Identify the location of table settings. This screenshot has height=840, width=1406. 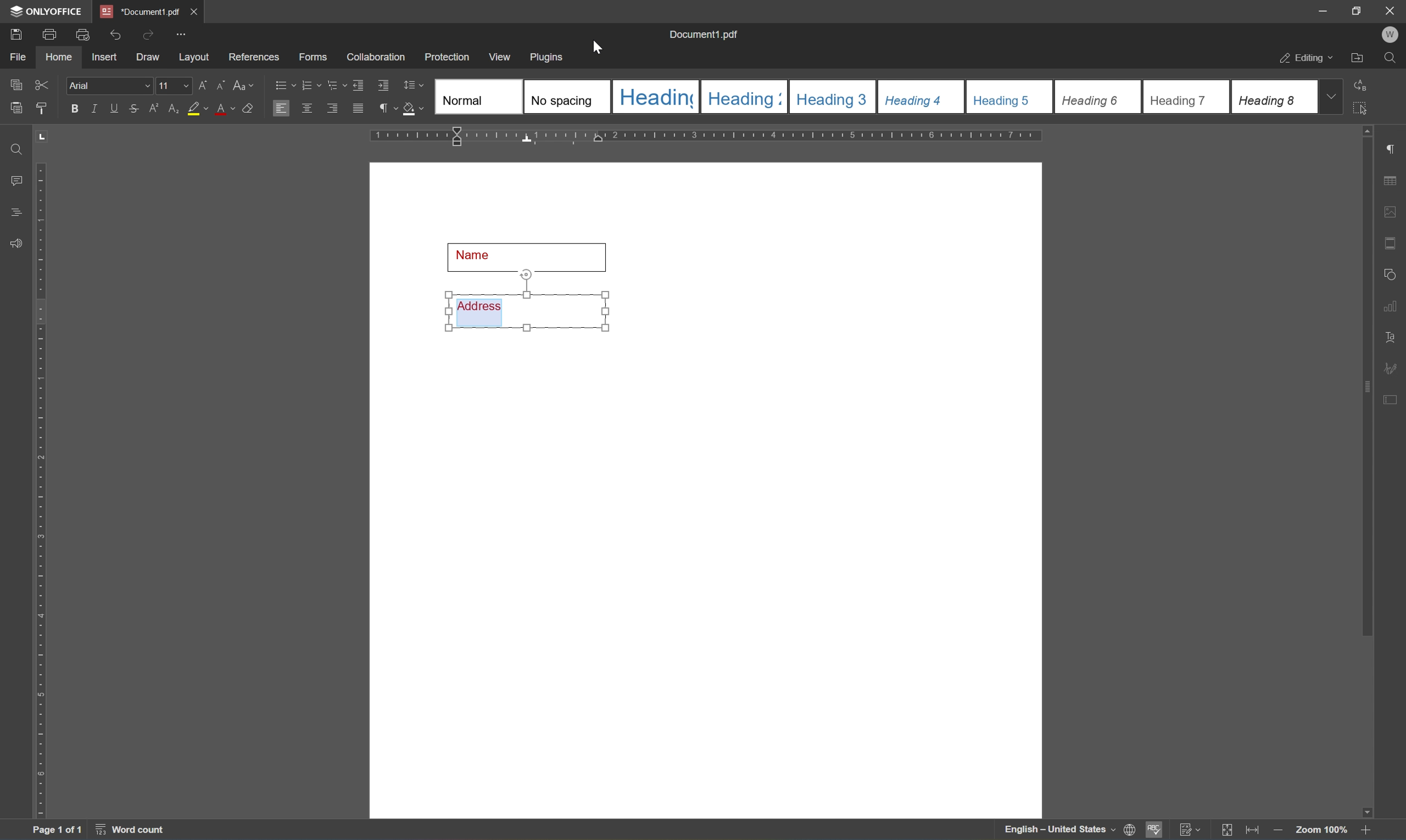
(1392, 179).